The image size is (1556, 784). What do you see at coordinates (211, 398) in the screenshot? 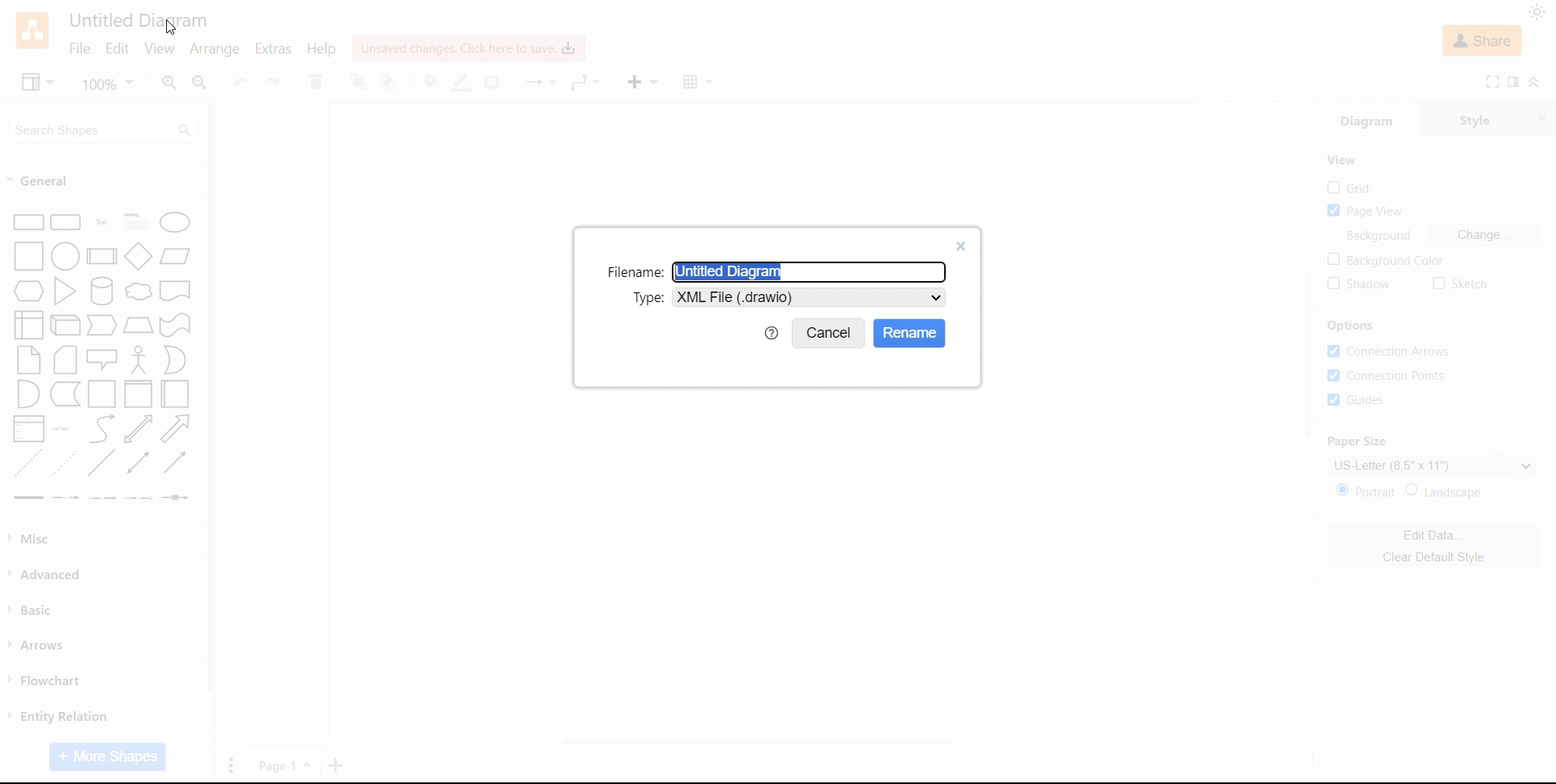
I see `Scroll bar ` at bounding box center [211, 398].